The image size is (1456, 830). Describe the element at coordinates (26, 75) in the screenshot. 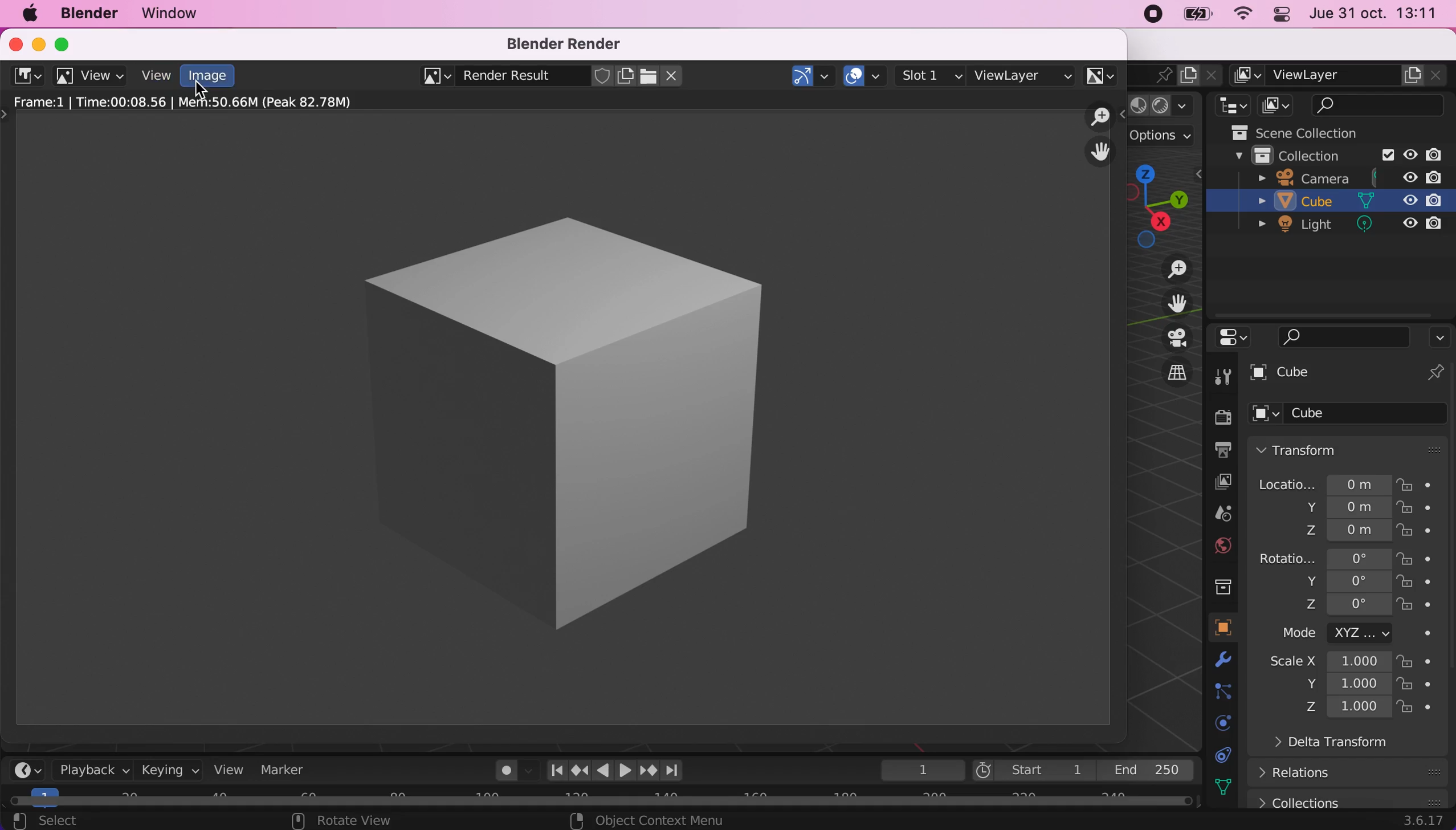

I see `blender` at that location.